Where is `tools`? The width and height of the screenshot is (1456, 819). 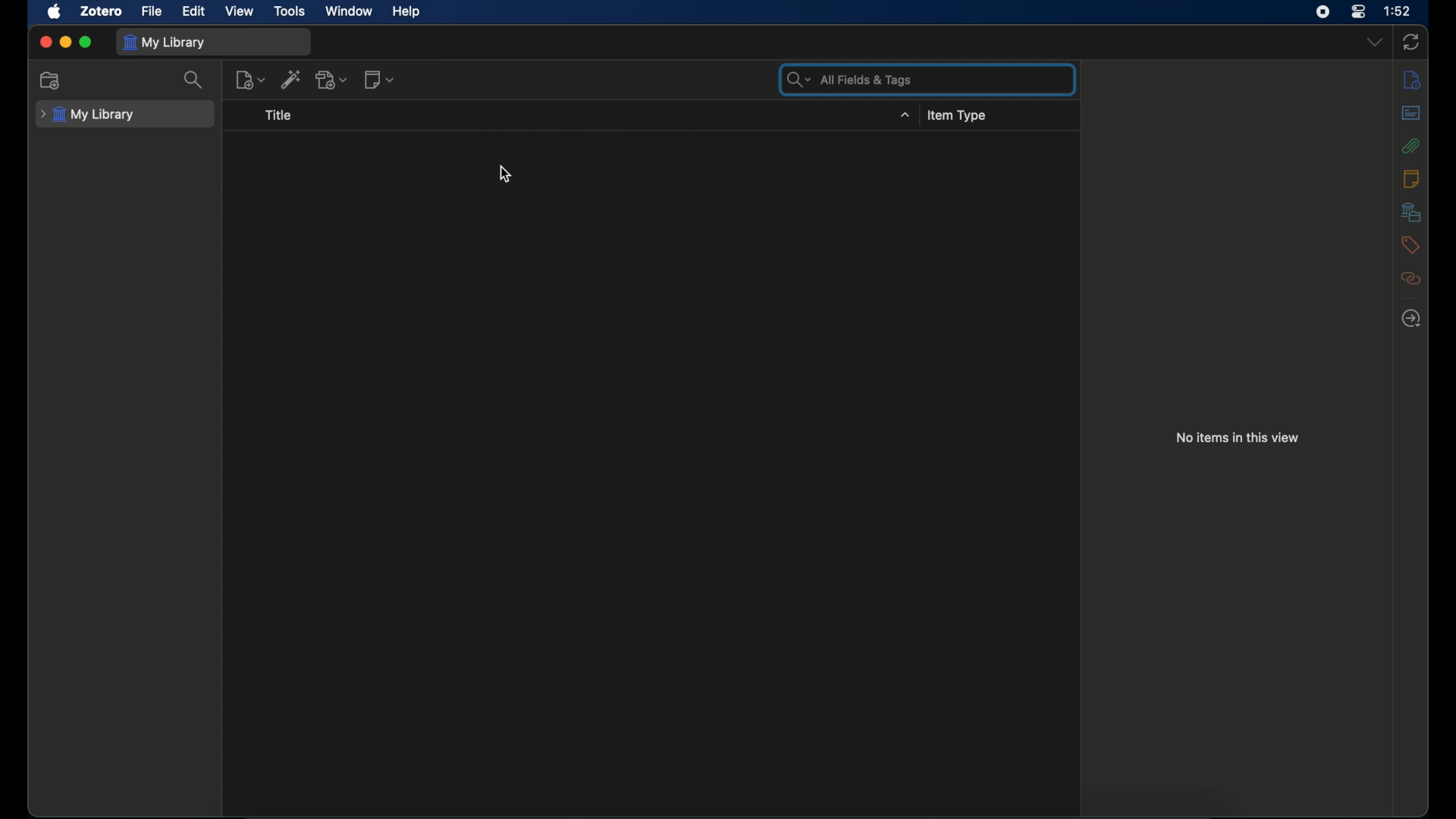
tools is located at coordinates (290, 11).